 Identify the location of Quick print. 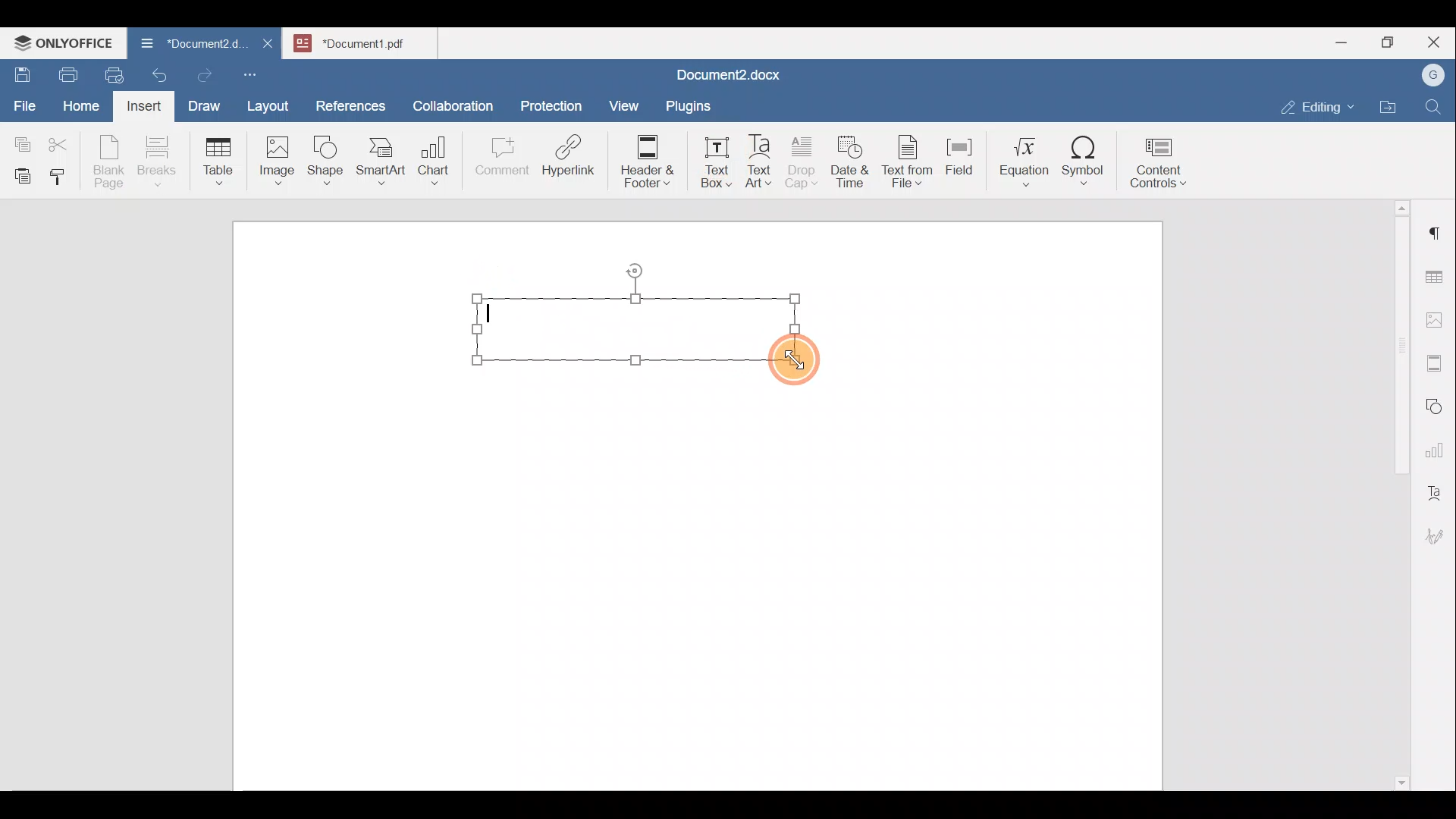
(110, 73).